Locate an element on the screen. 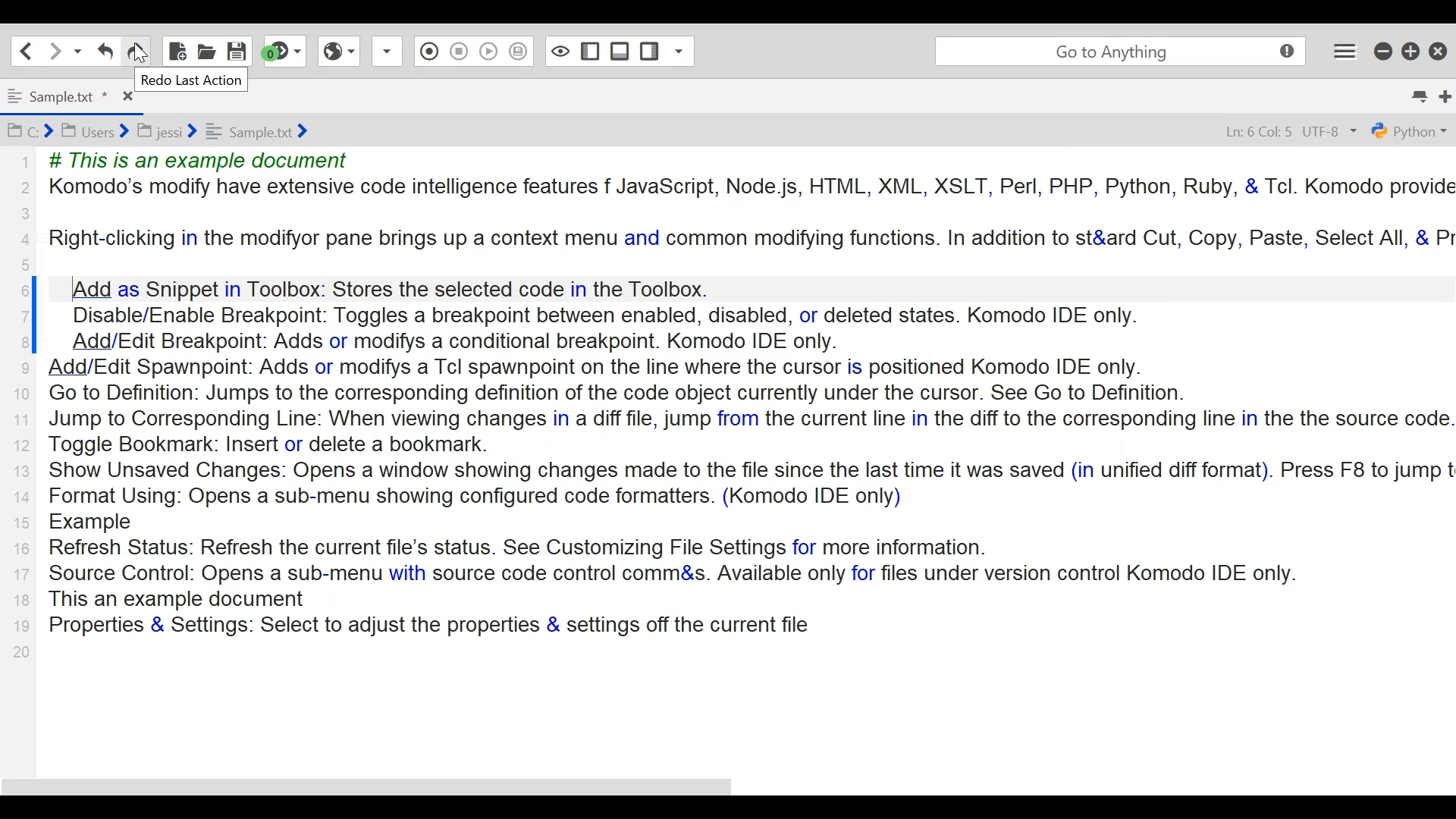  New File is located at coordinates (177, 51).